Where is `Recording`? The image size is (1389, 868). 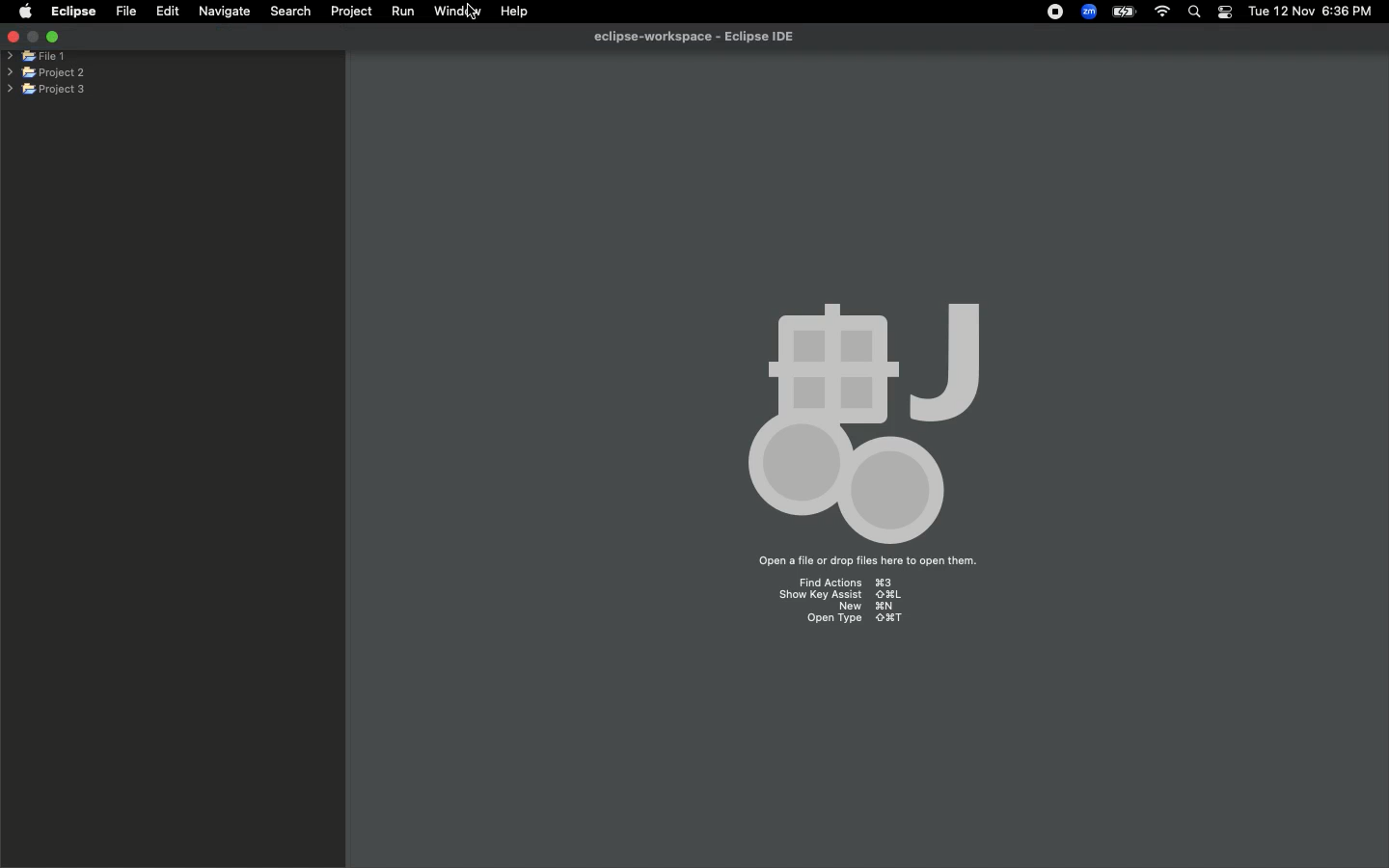 Recording is located at coordinates (1056, 14).